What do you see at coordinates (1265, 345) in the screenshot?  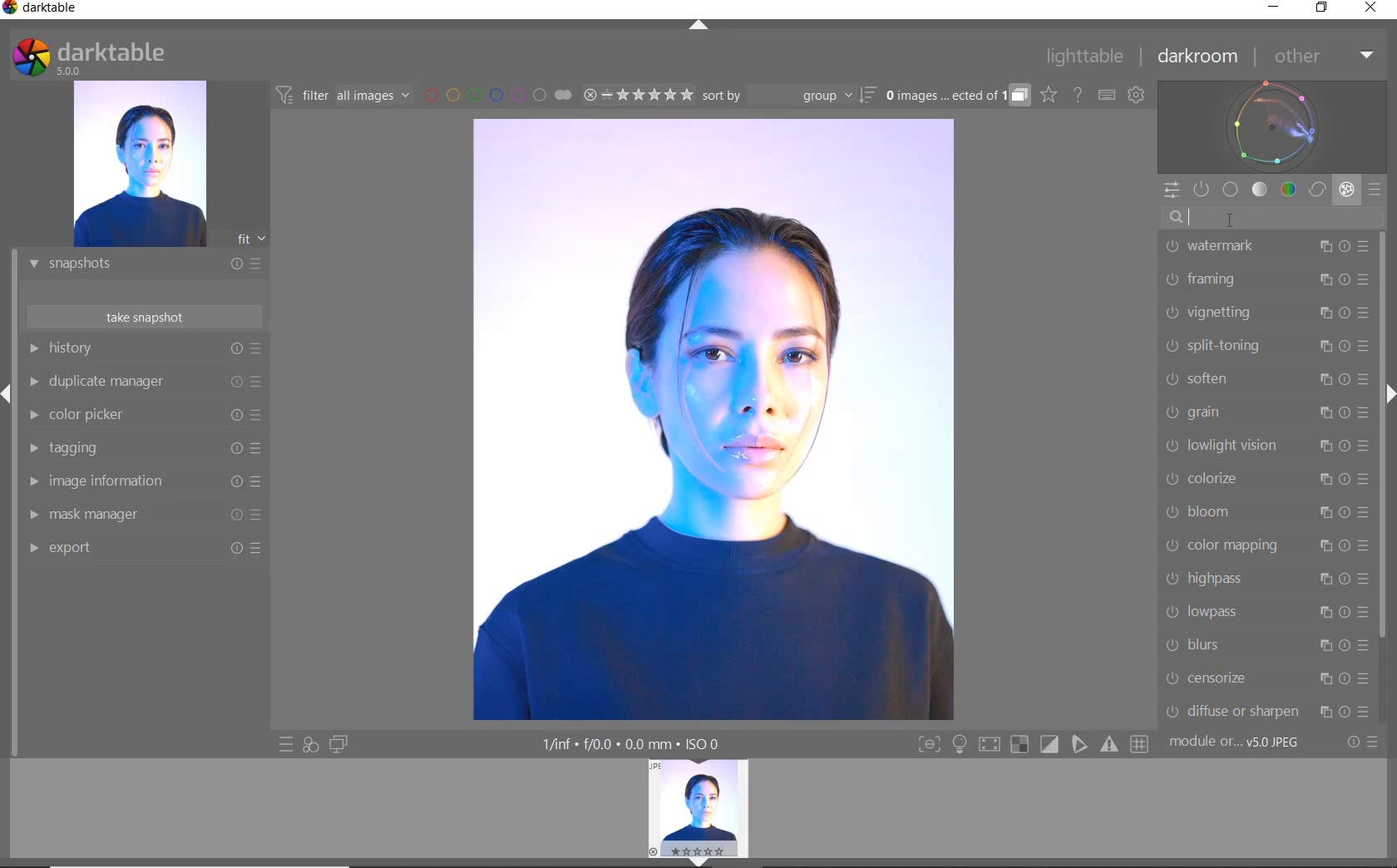 I see `SPLIT-TONING` at bounding box center [1265, 345].